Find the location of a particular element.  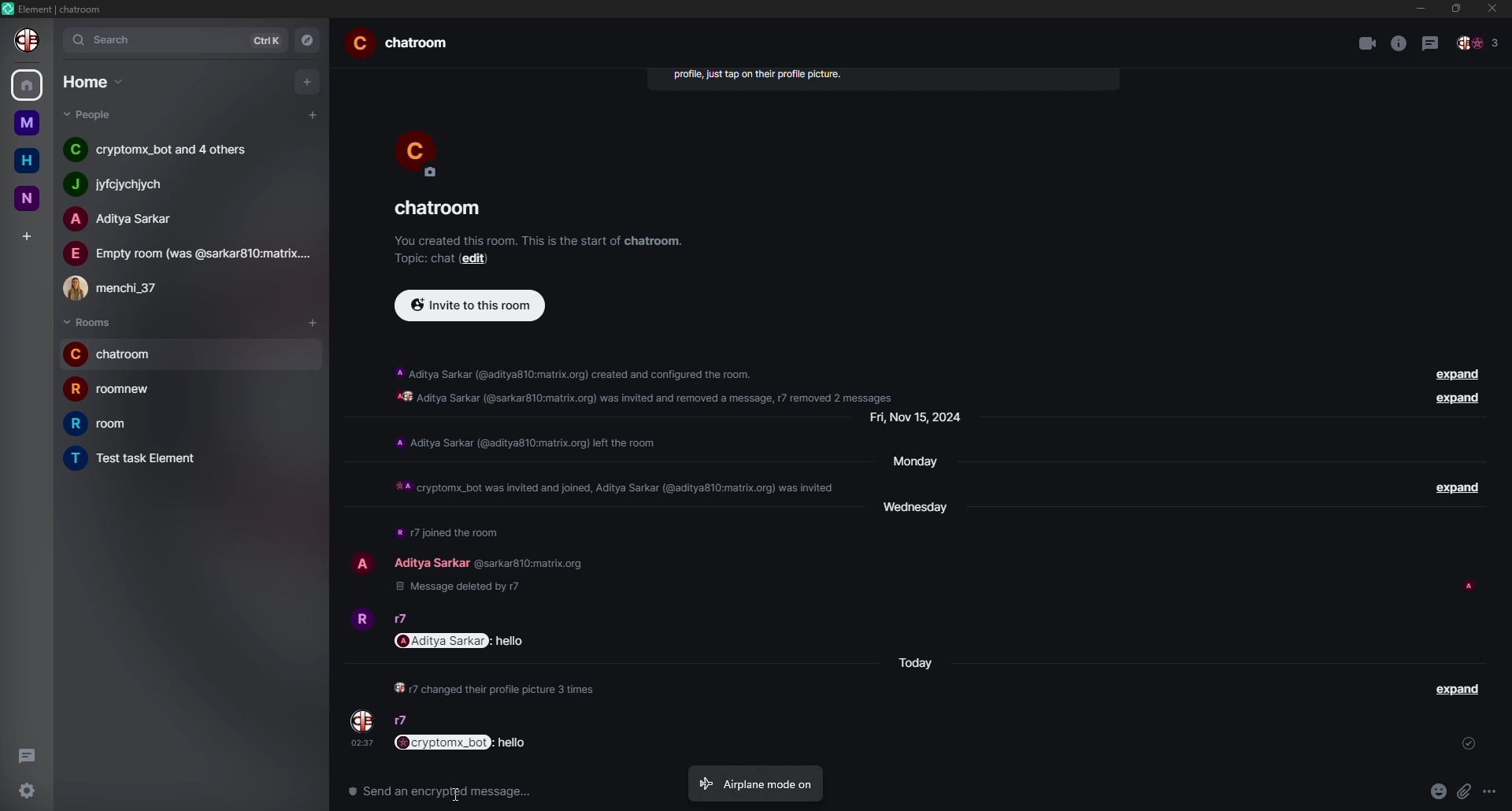

profile is located at coordinates (360, 562).